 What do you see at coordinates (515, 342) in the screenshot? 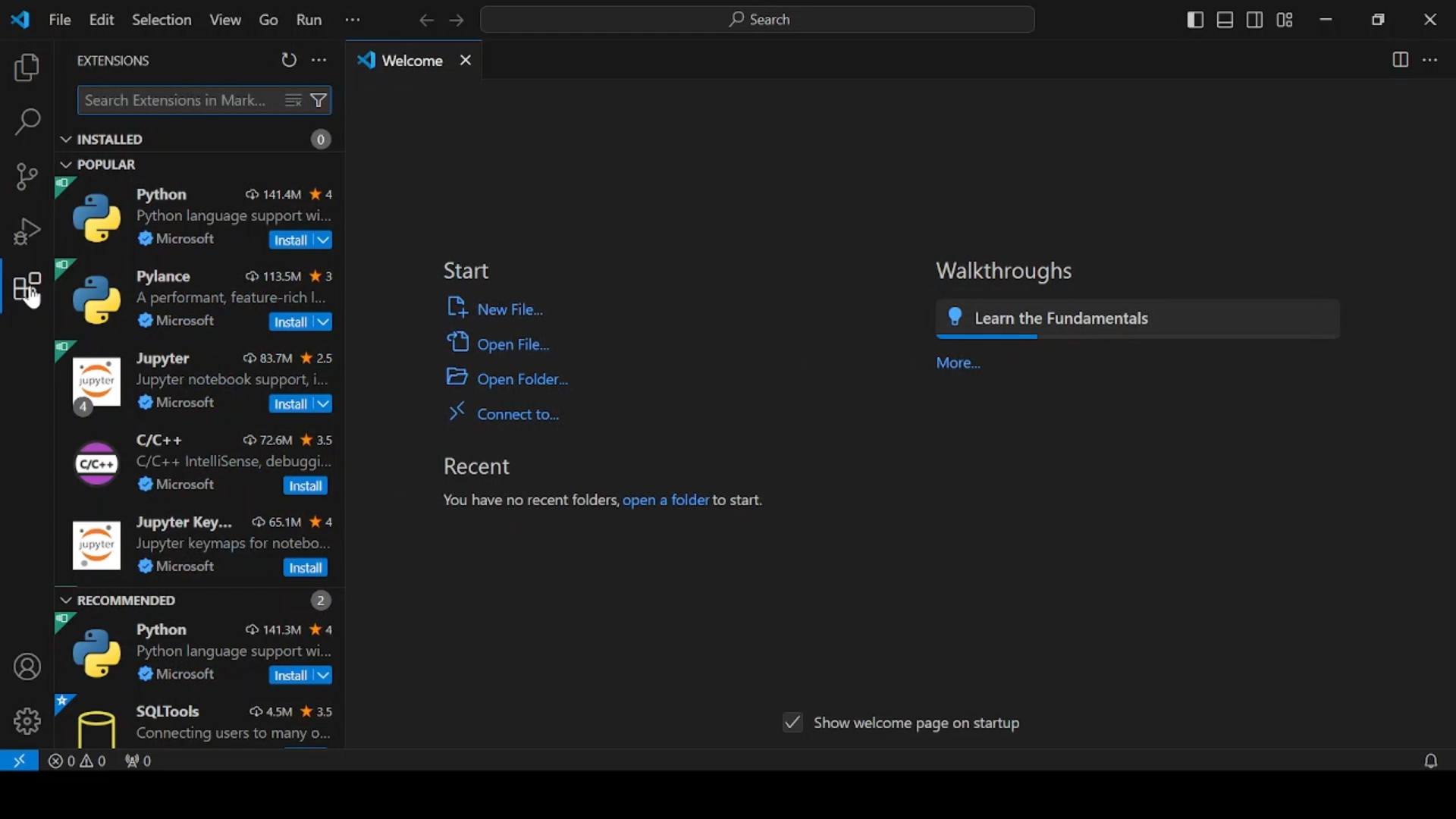
I see `open file` at bounding box center [515, 342].